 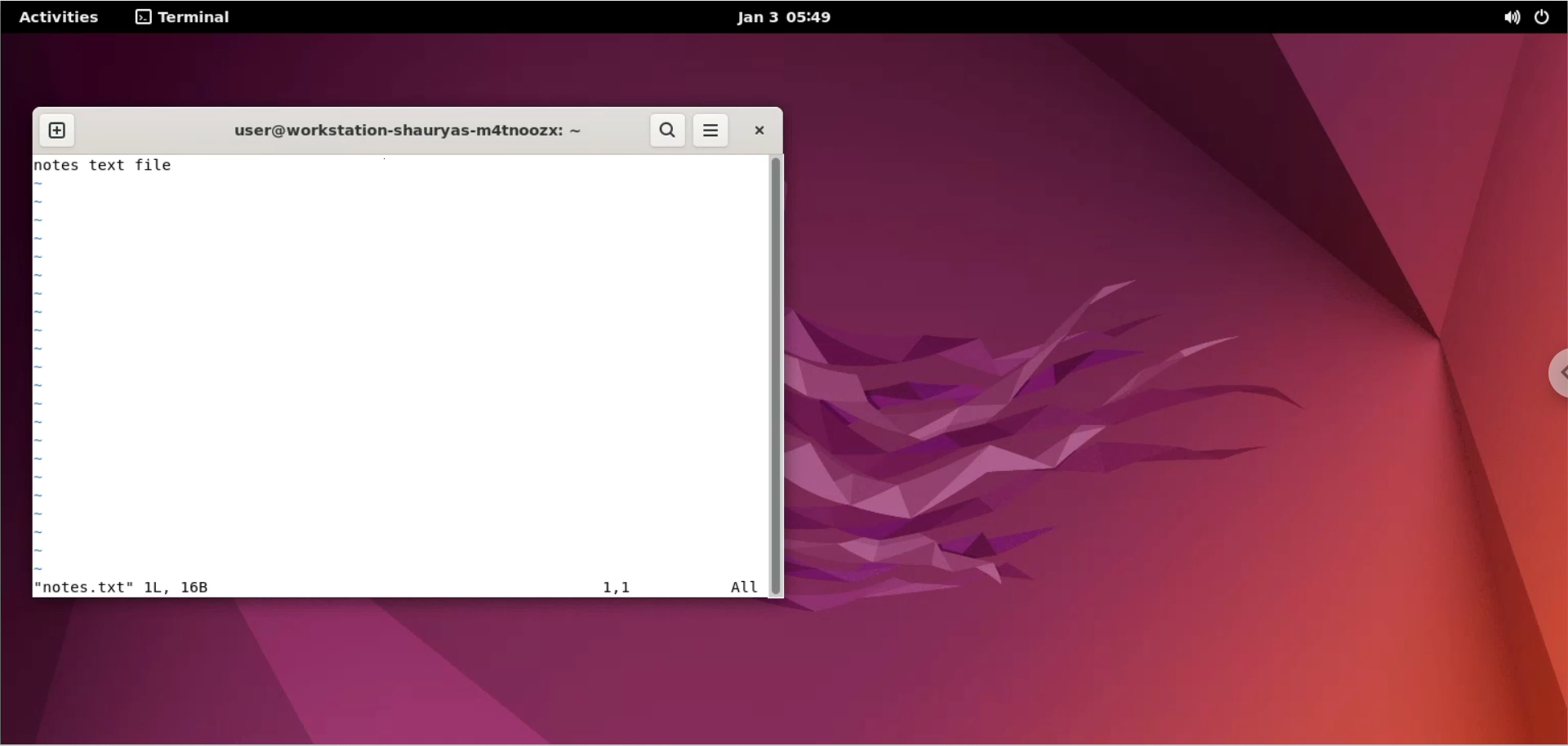 What do you see at coordinates (669, 131) in the screenshot?
I see `search` at bounding box center [669, 131].